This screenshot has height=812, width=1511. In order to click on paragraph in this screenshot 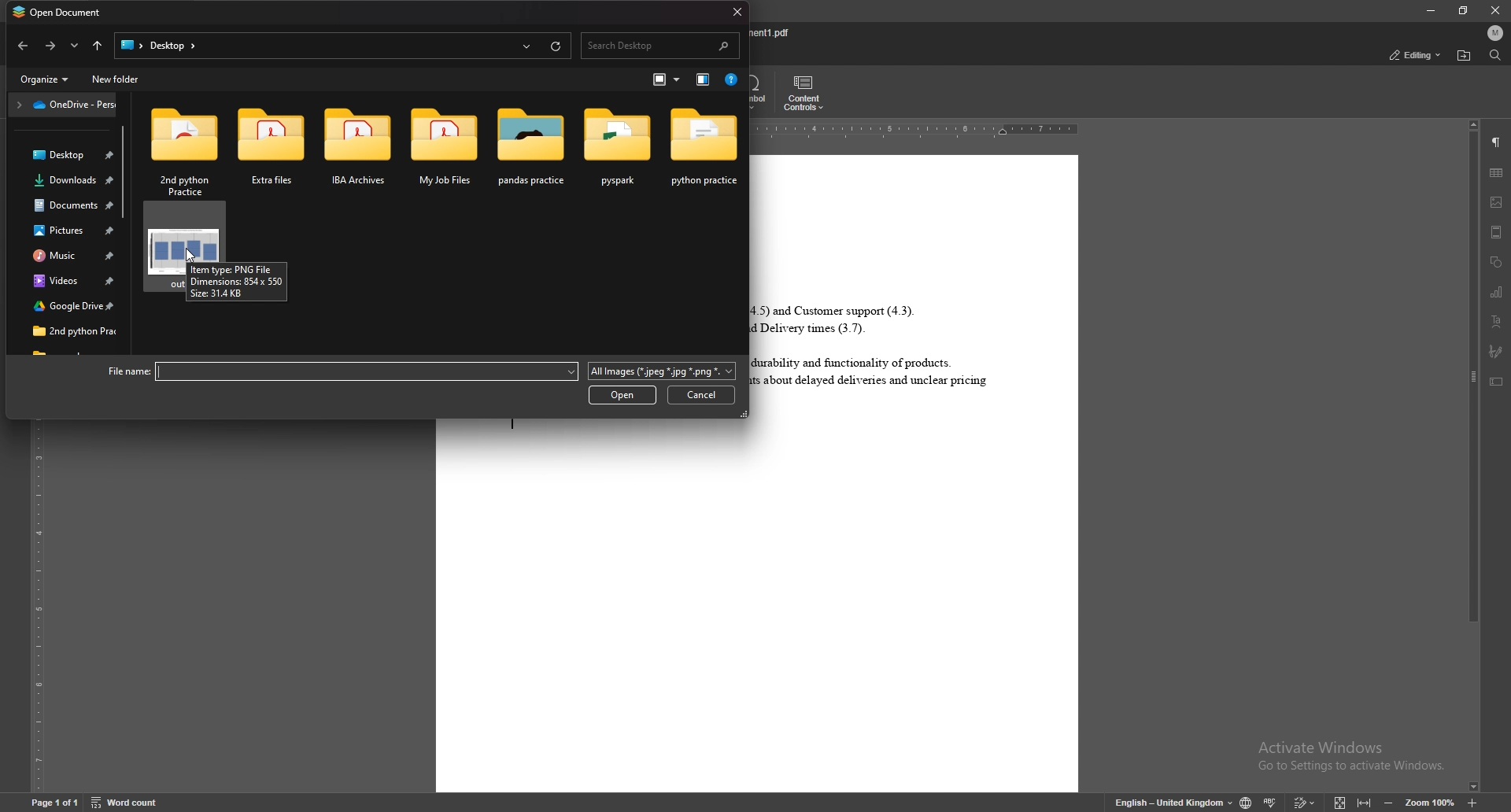, I will do `click(1497, 142)`.